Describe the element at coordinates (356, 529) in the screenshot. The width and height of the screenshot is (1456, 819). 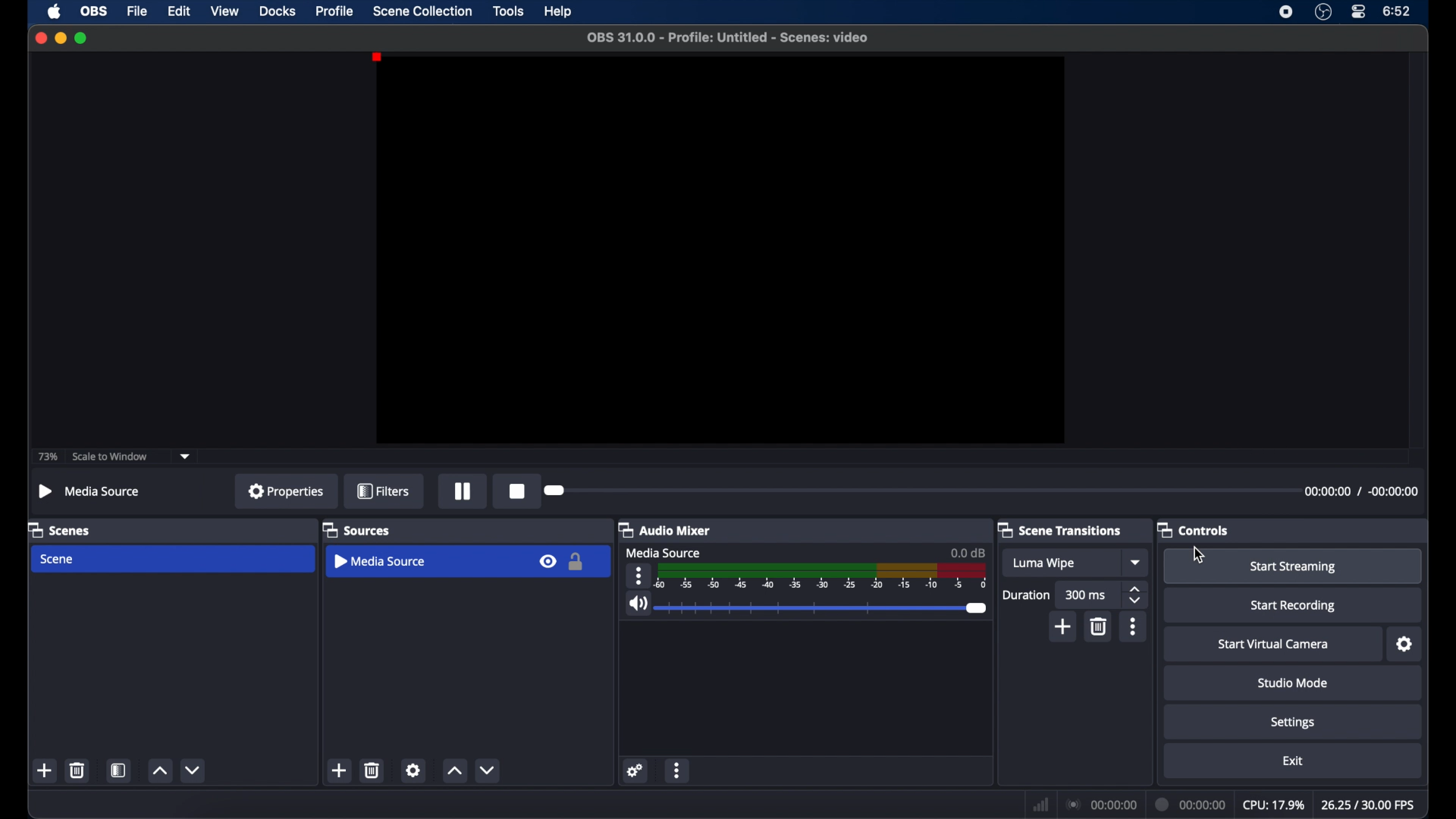
I see `sources` at that location.